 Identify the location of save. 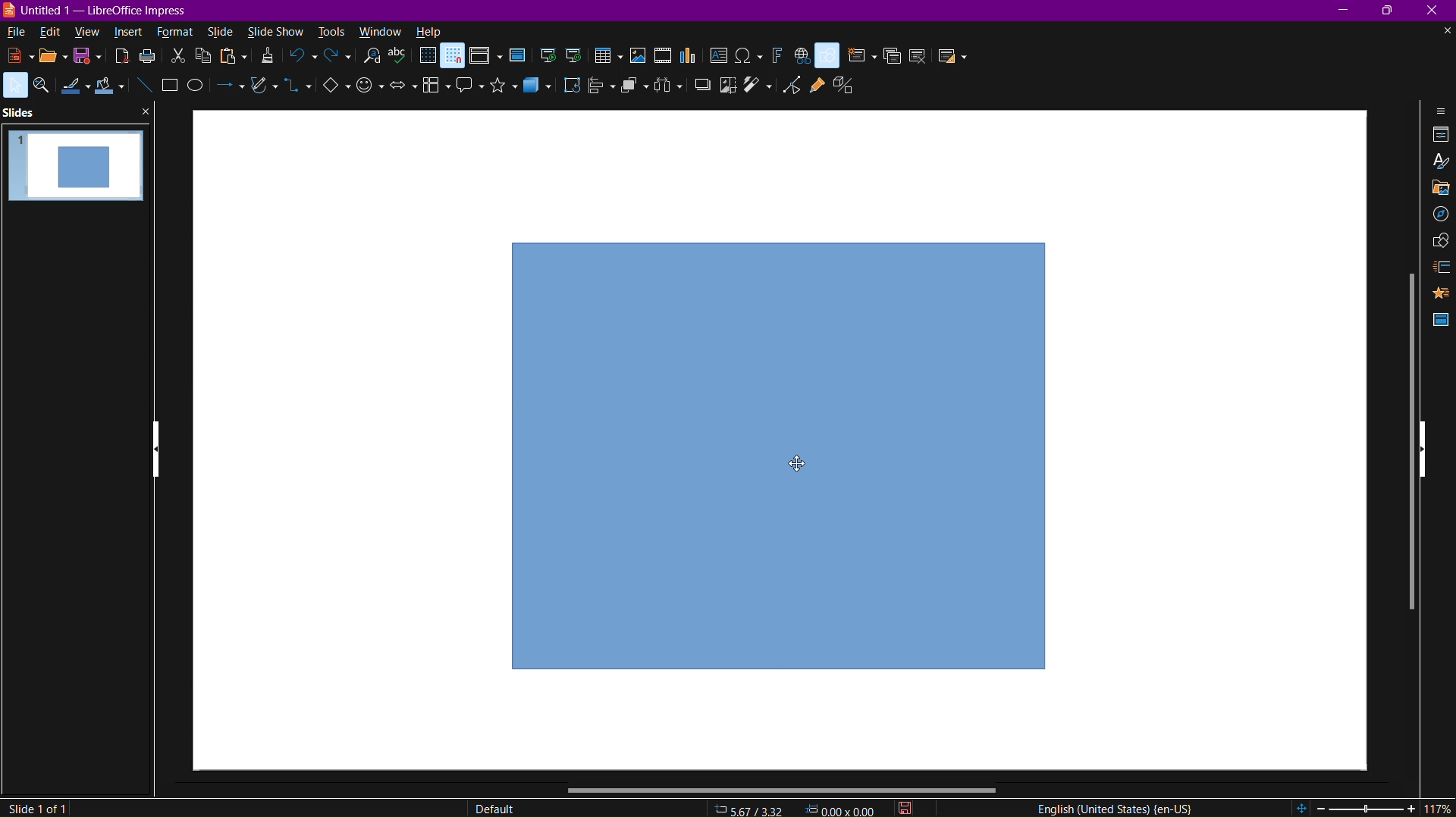
(89, 60).